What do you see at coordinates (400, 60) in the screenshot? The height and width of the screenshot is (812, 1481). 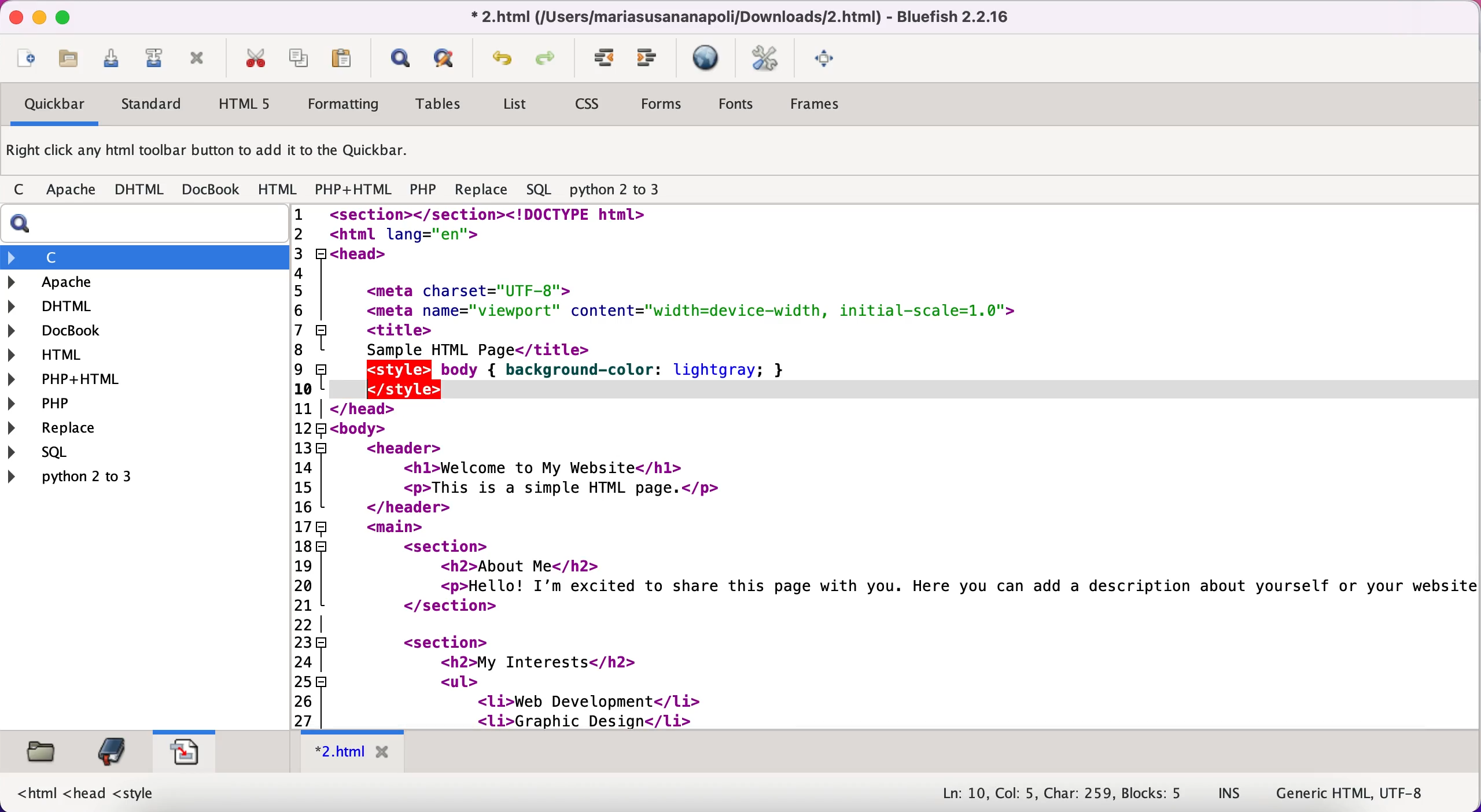 I see `show find bar` at bounding box center [400, 60].